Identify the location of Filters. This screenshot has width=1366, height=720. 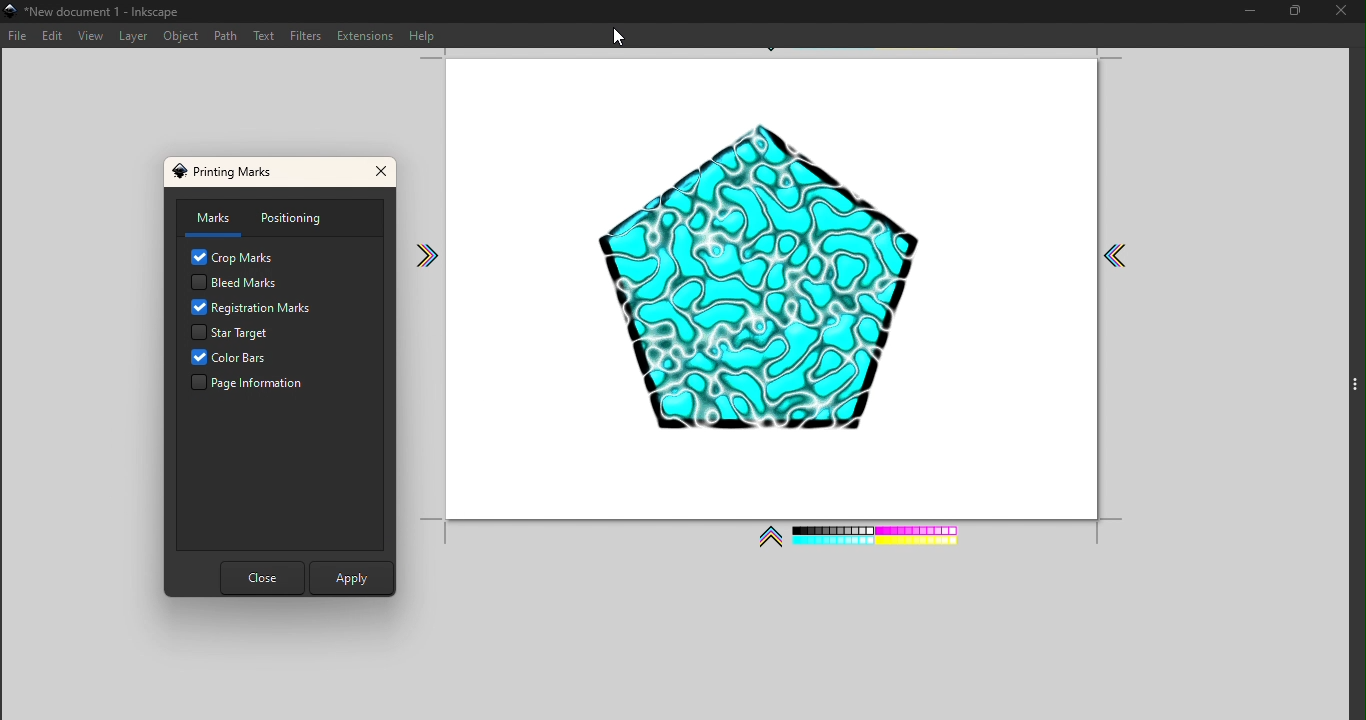
(309, 37).